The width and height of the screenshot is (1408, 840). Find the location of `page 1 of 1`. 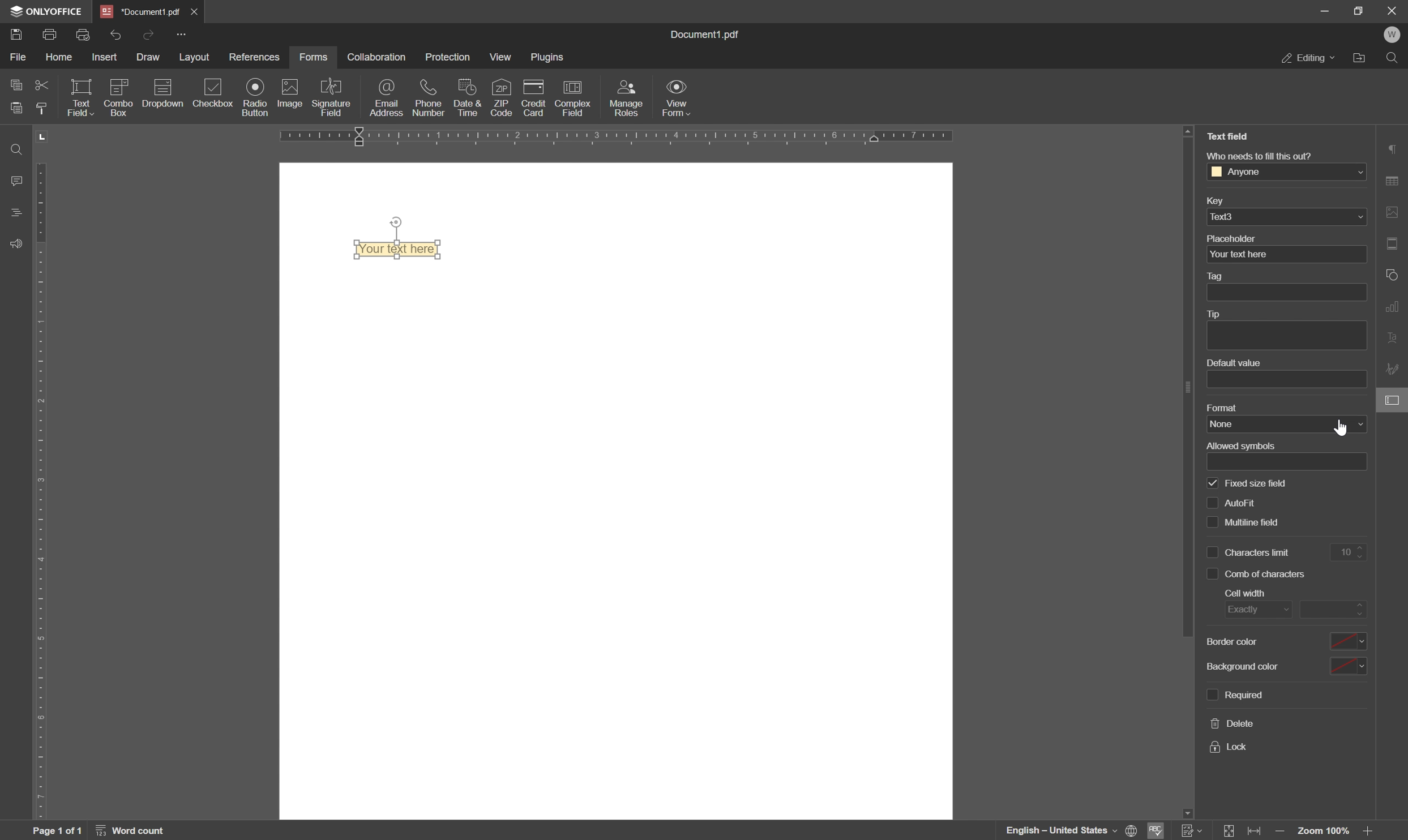

page 1 of 1 is located at coordinates (58, 831).